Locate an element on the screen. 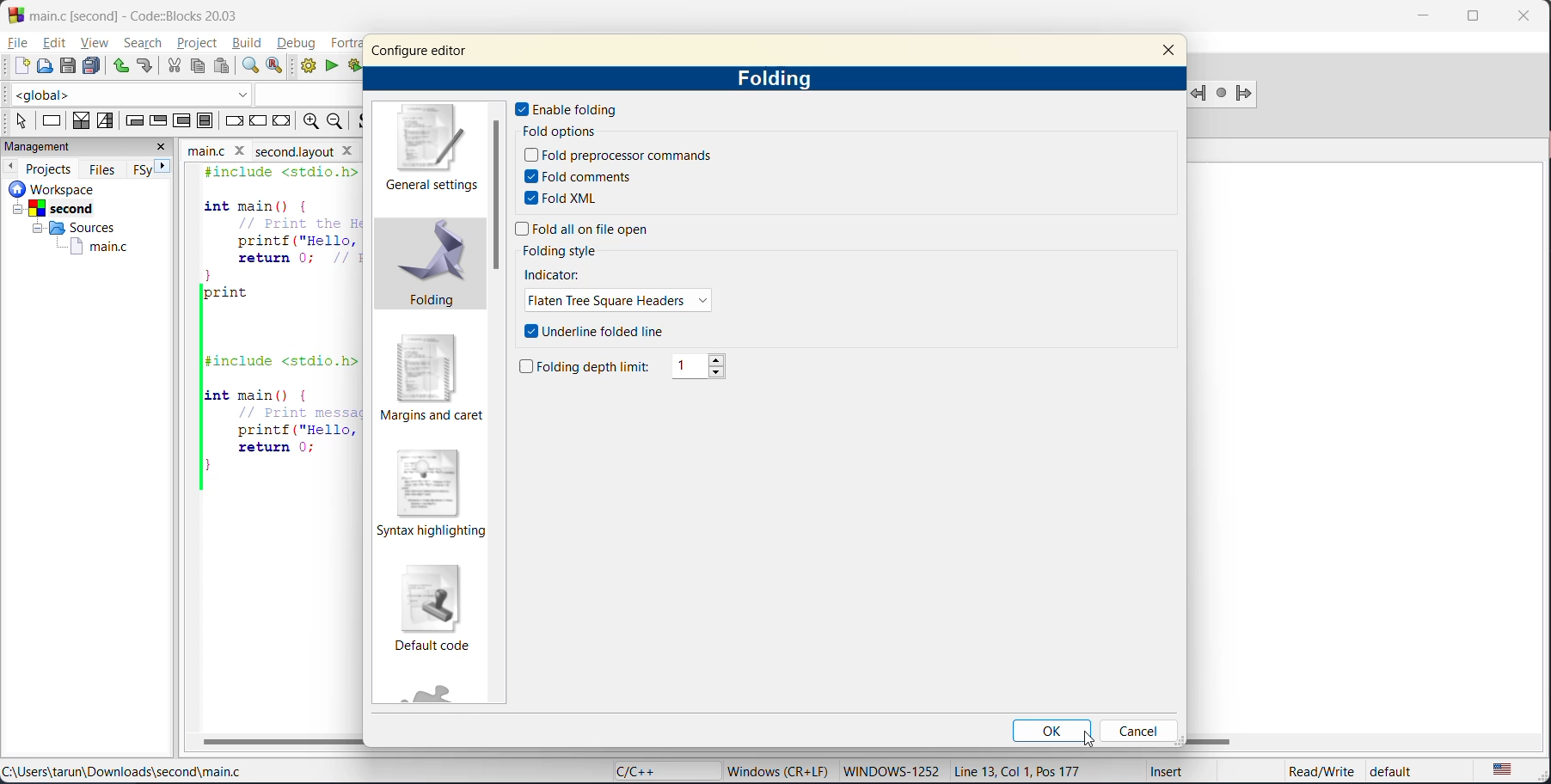 The height and width of the screenshot is (784, 1551). code completion compiler is located at coordinates (182, 95).